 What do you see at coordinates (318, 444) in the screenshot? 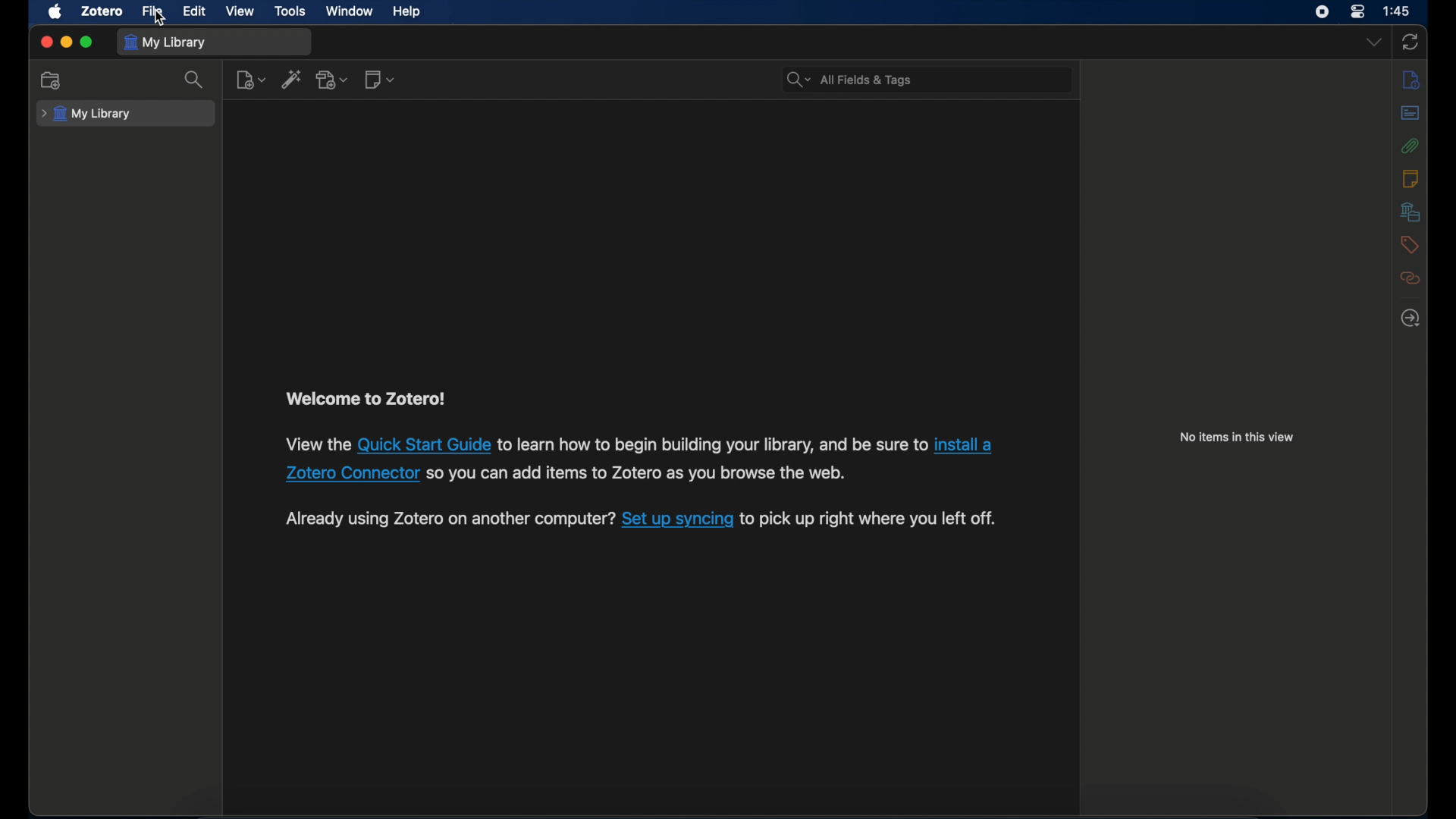
I see `View the` at bounding box center [318, 444].